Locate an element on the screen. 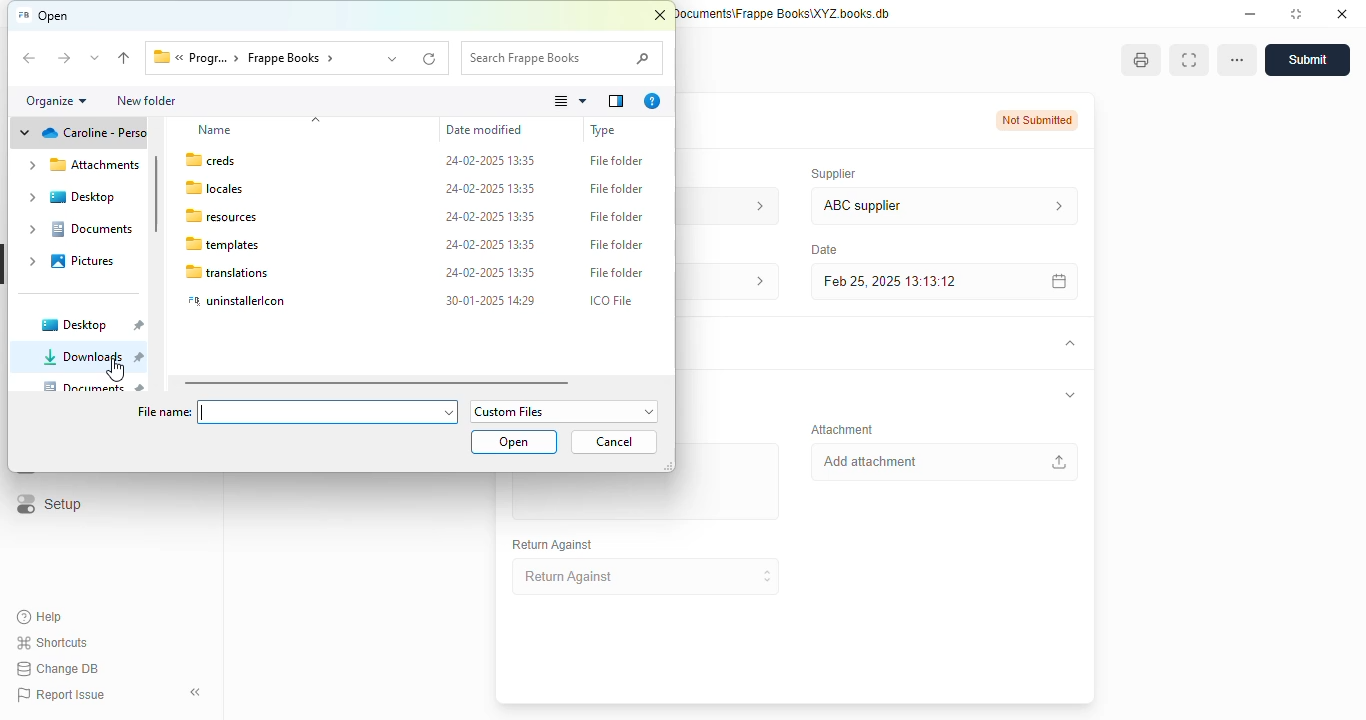 This screenshot has height=720, width=1366. 24-02-2025 13:35 is located at coordinates (491, 273).